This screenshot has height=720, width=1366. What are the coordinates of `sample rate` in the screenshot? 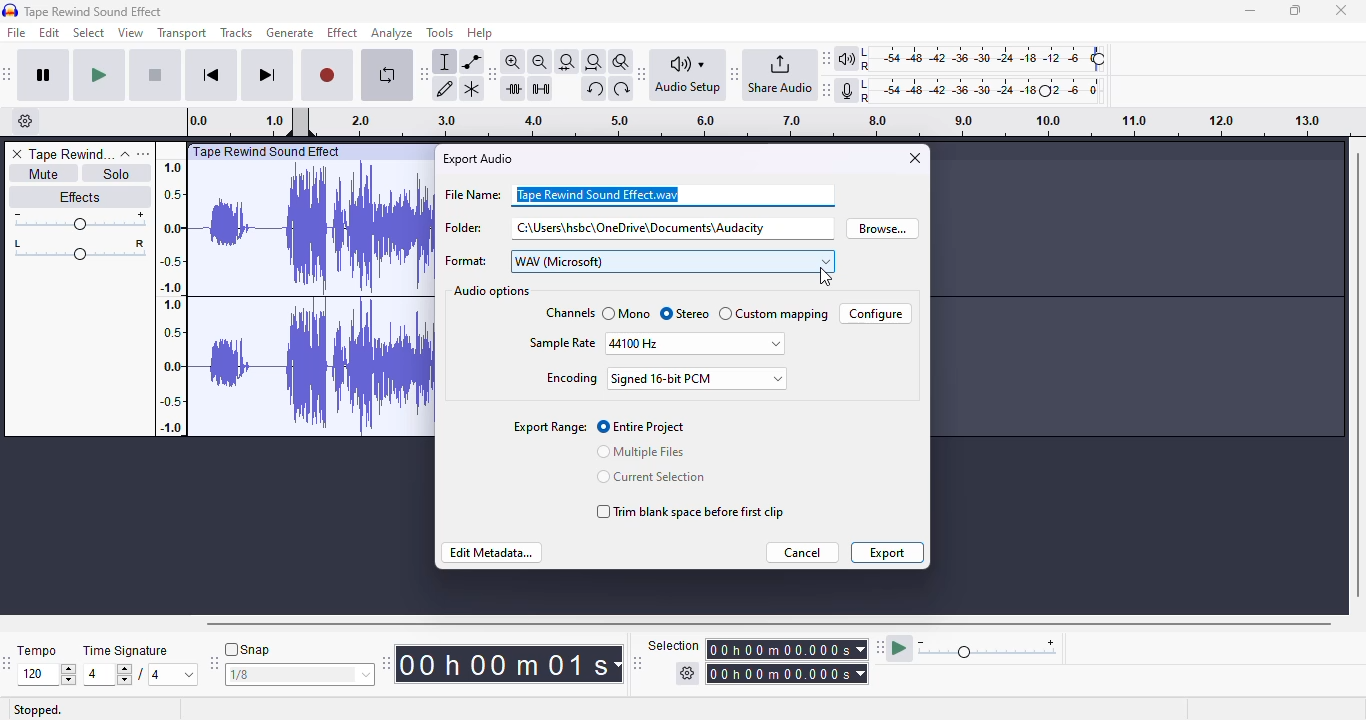 It's located at (658, 343).